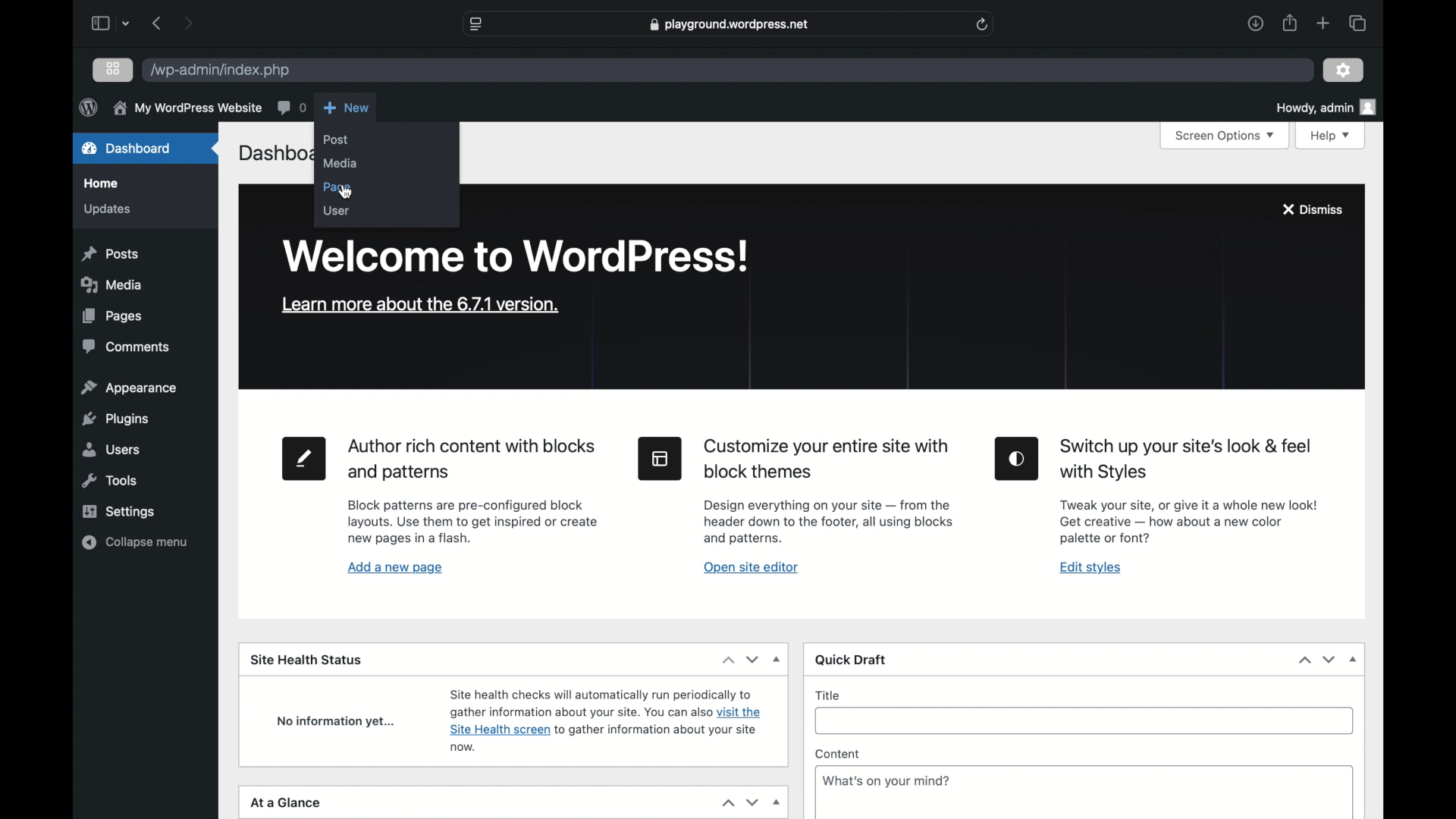  I want to click on site editor tool information, so click(829, 522).